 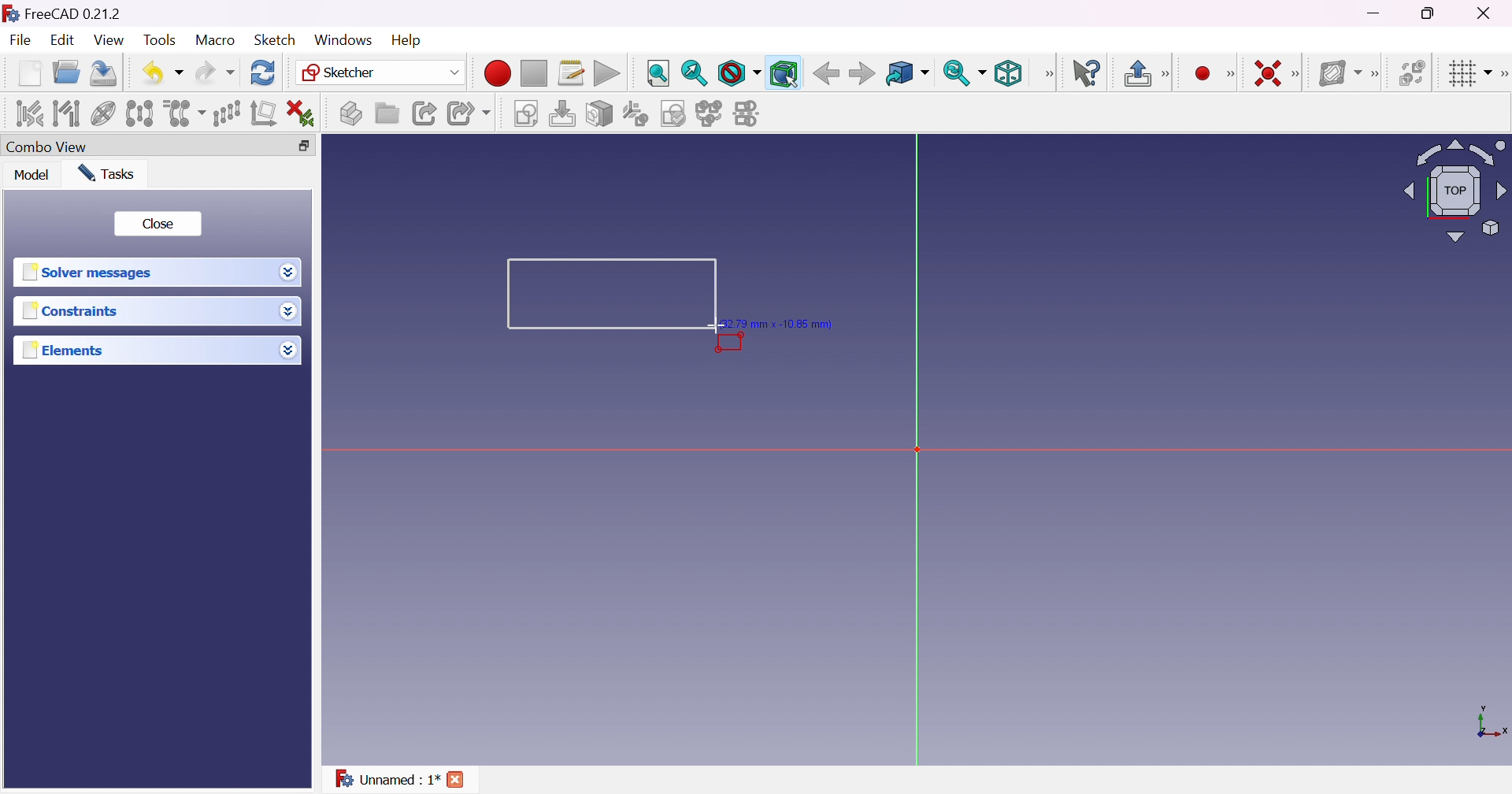 I want to click on Constraints, so click(x=72, y=310).